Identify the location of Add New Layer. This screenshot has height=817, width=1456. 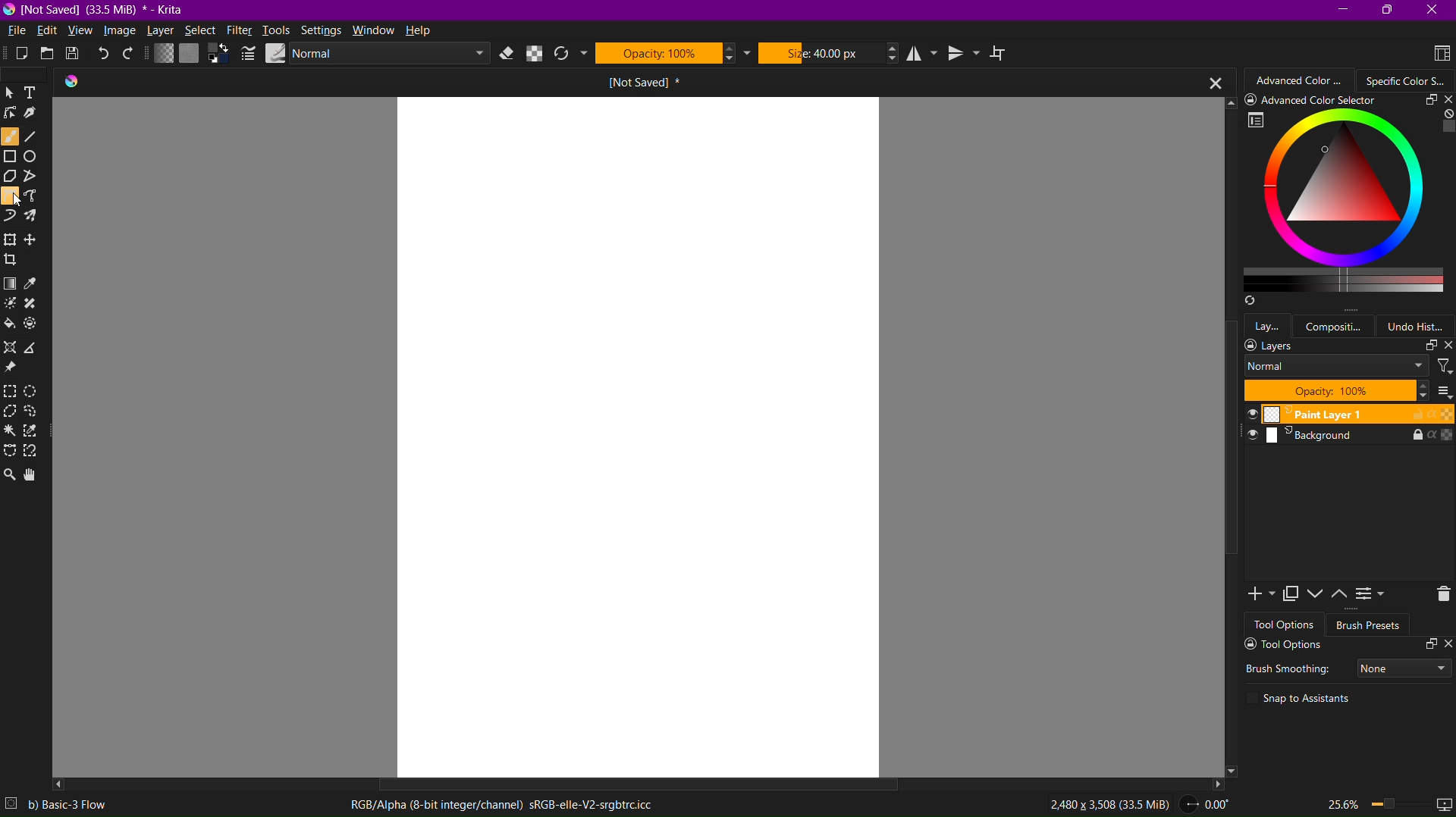
(1257, 595).